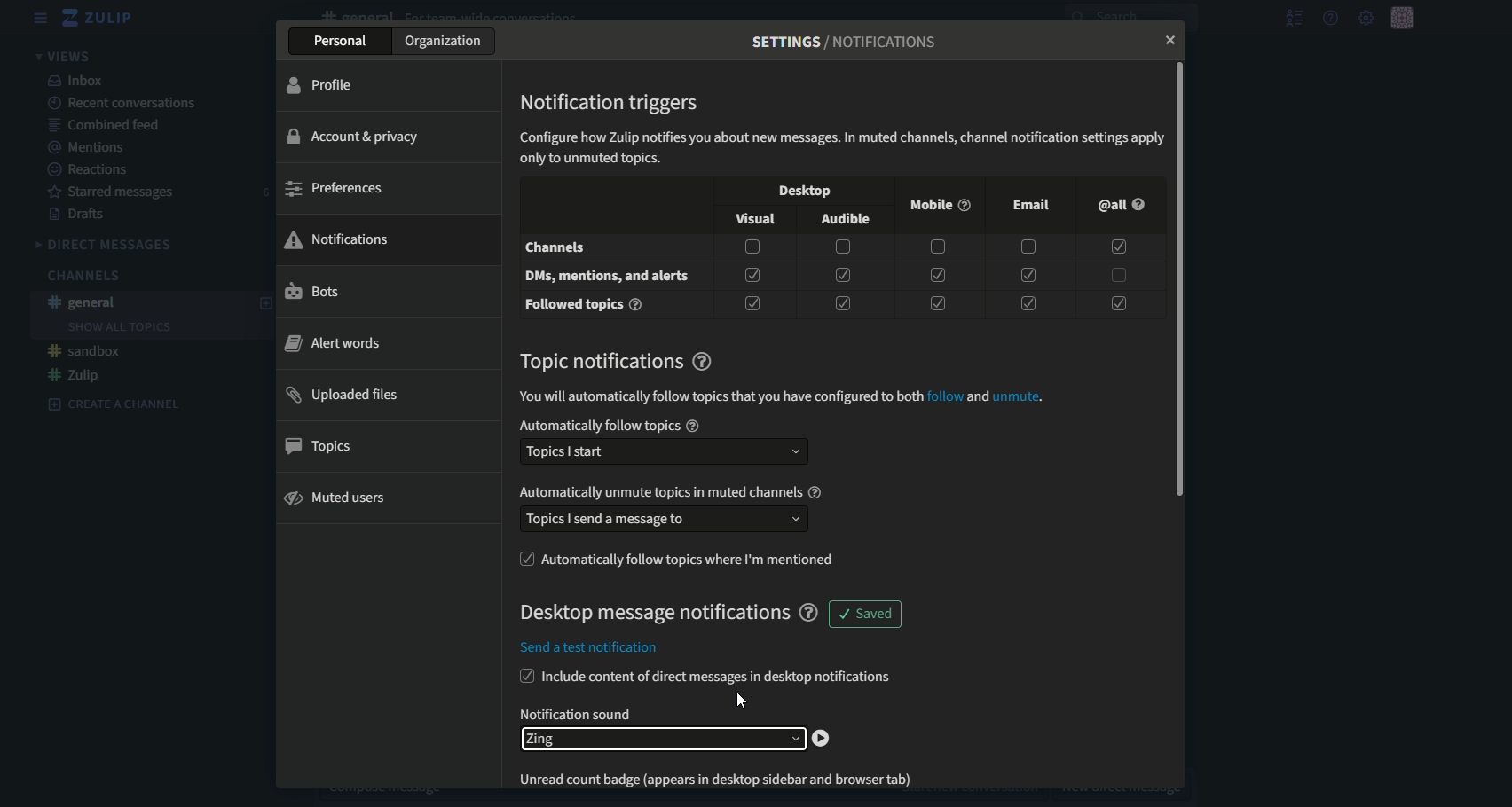 The width and height of the screenshot is (1512, 807). Describe the element at coordinates (1365, 17) in the screenshot. I see `main menu` at that location.